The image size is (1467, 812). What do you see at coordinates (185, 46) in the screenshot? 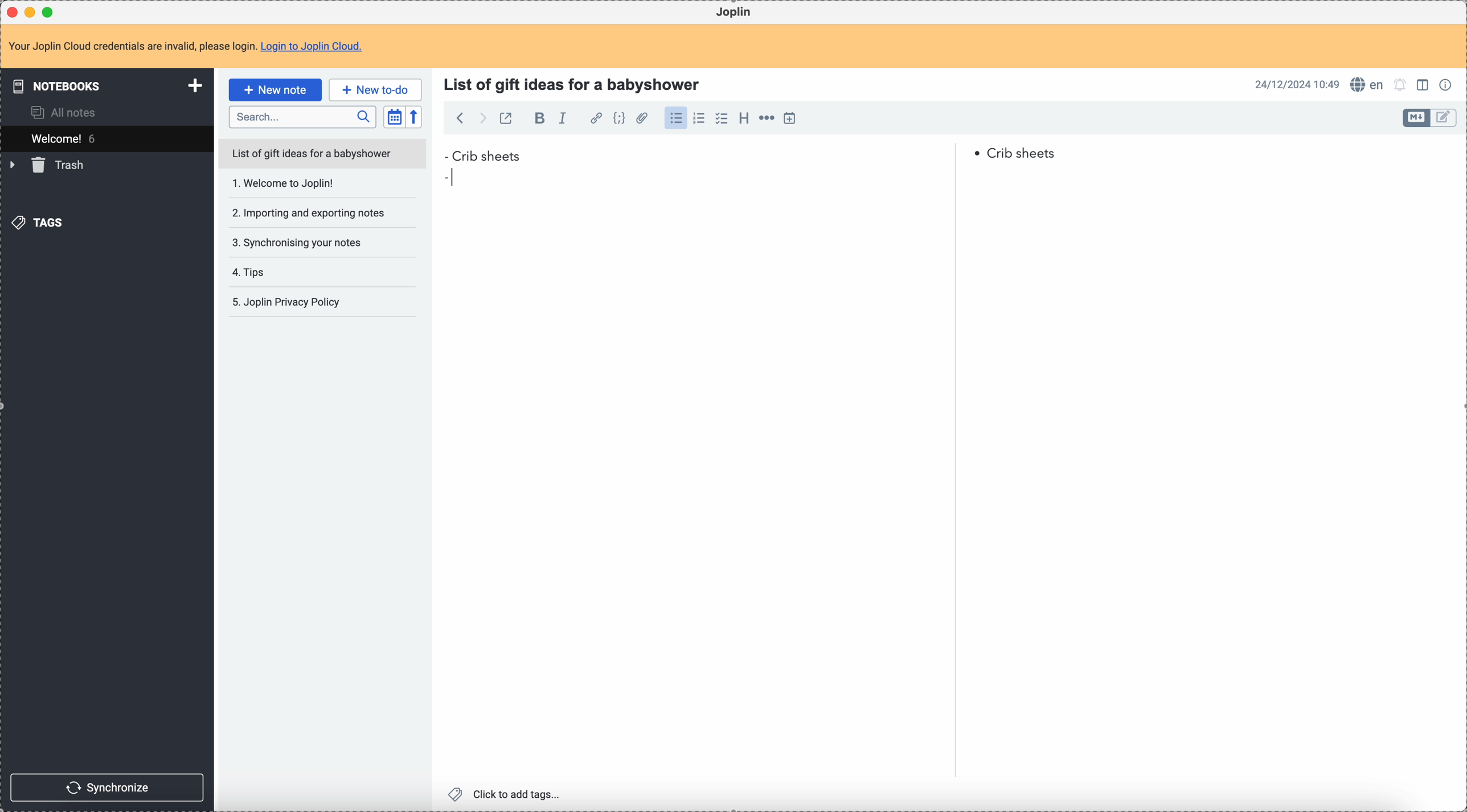
I see `note` at bounding box center [185, 46].